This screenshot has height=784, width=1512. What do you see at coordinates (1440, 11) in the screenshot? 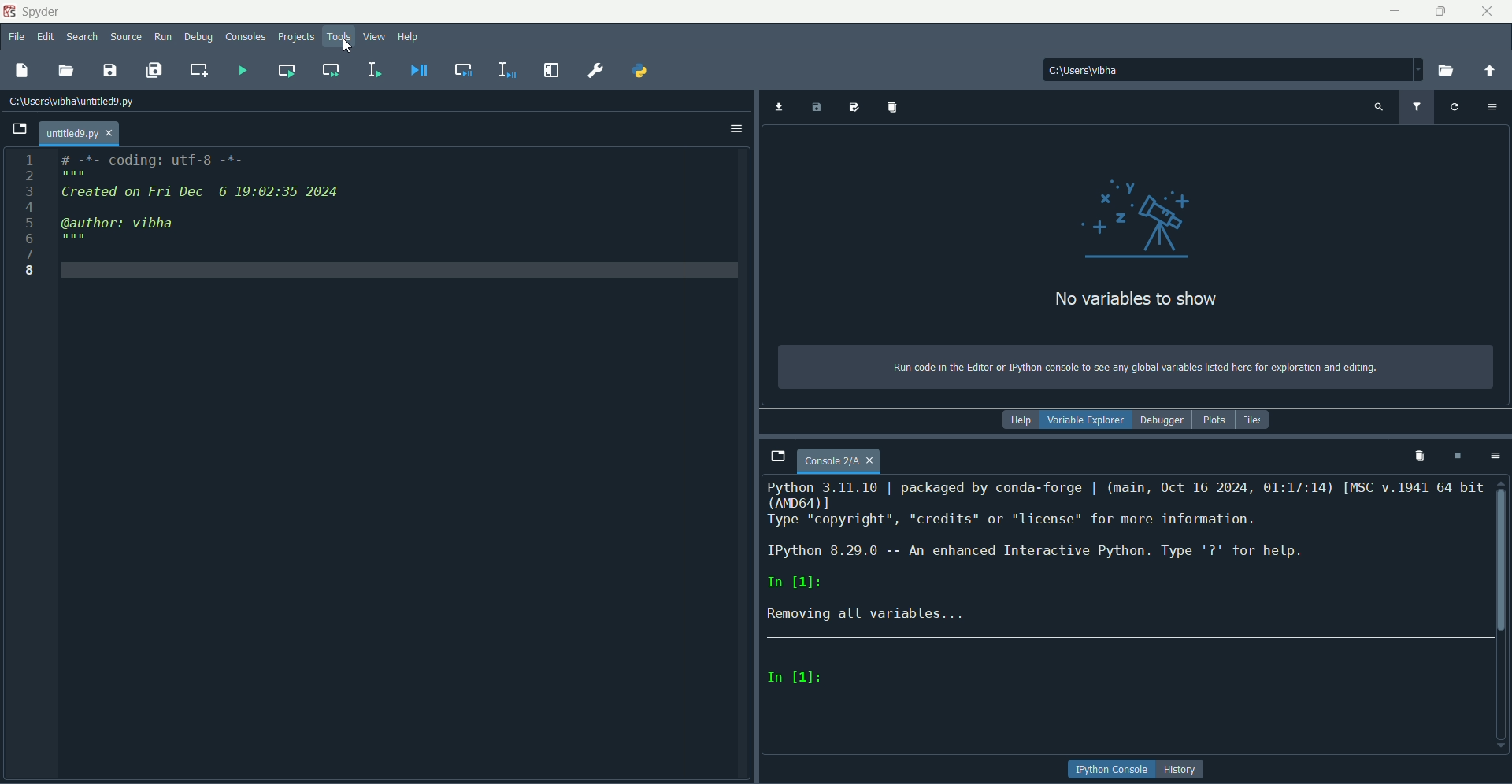
I see `minimize/maximize` at bounding box center [1440, 11].